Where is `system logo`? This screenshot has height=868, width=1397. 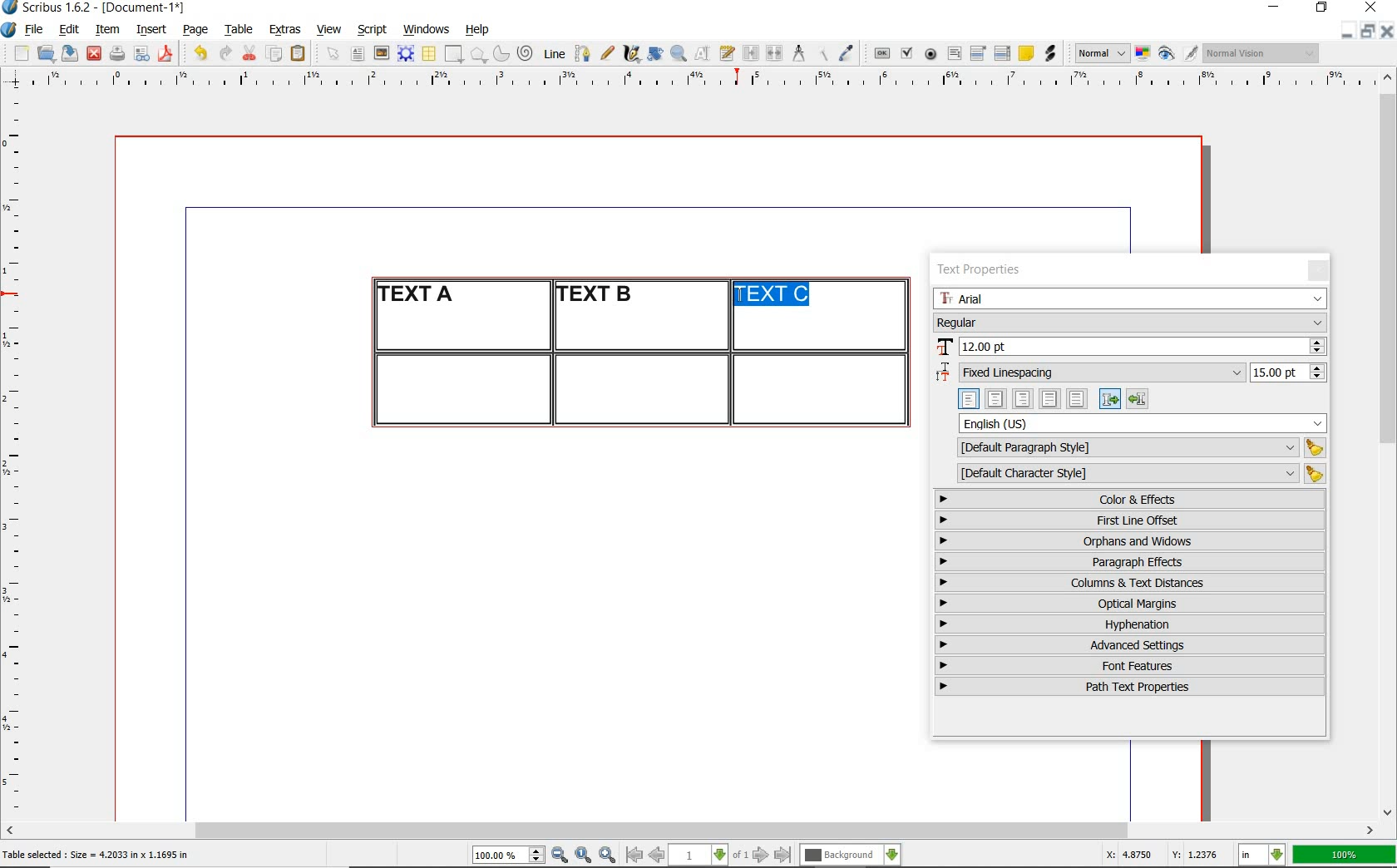
system logo is located at coordinates (10, 30).